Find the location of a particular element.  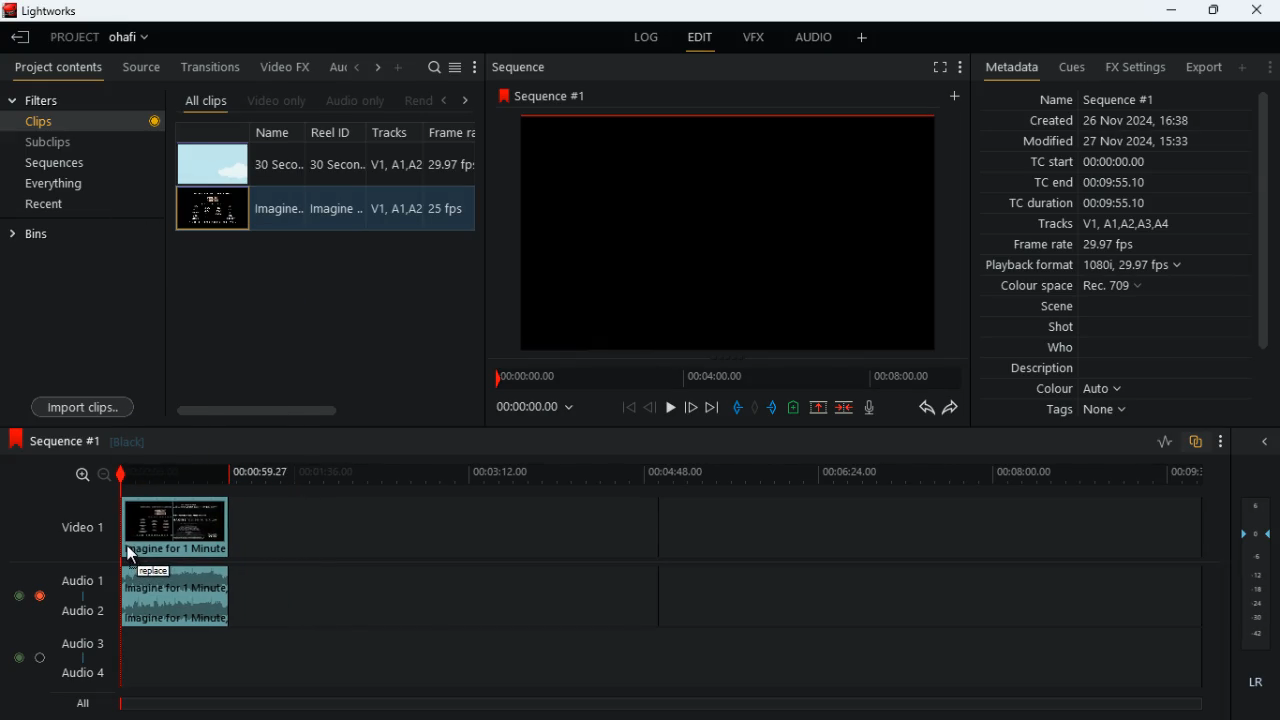

minimize is located at coordinates (1169, 11).